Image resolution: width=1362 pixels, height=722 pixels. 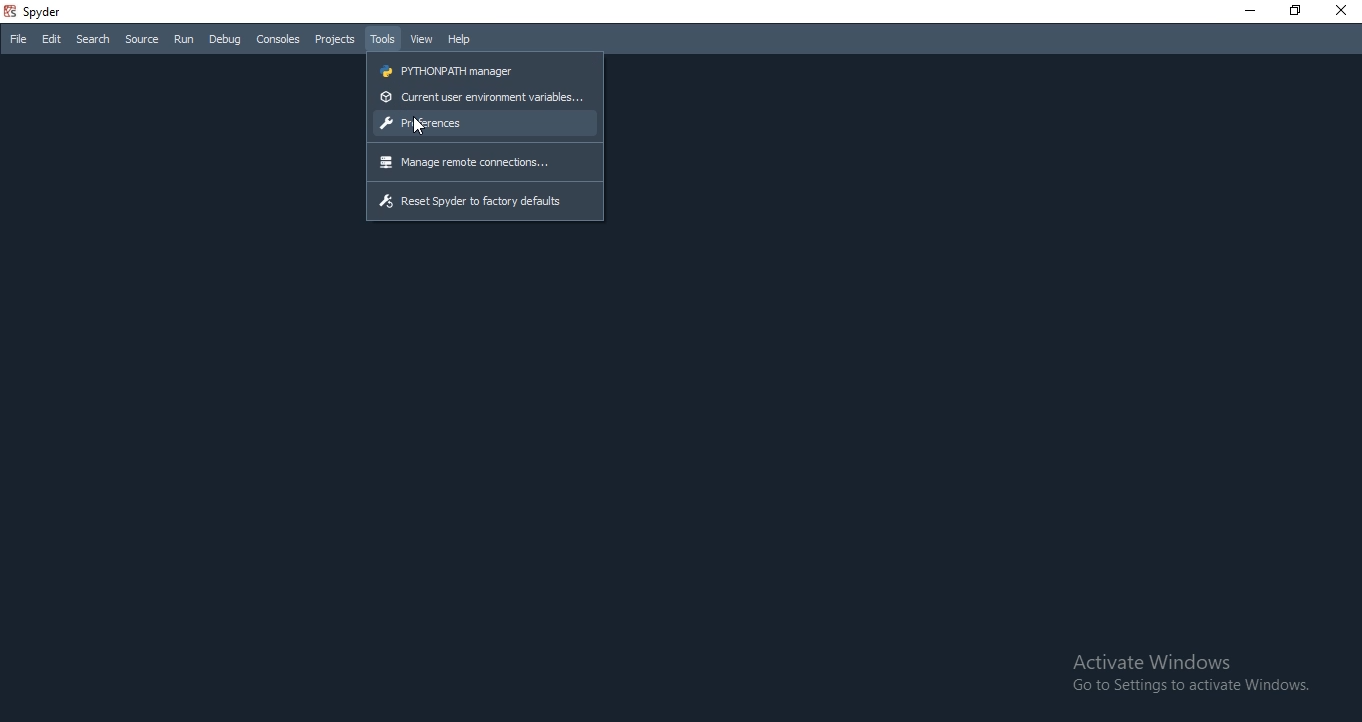 I want to click on close, so click(x=1342, y=12).